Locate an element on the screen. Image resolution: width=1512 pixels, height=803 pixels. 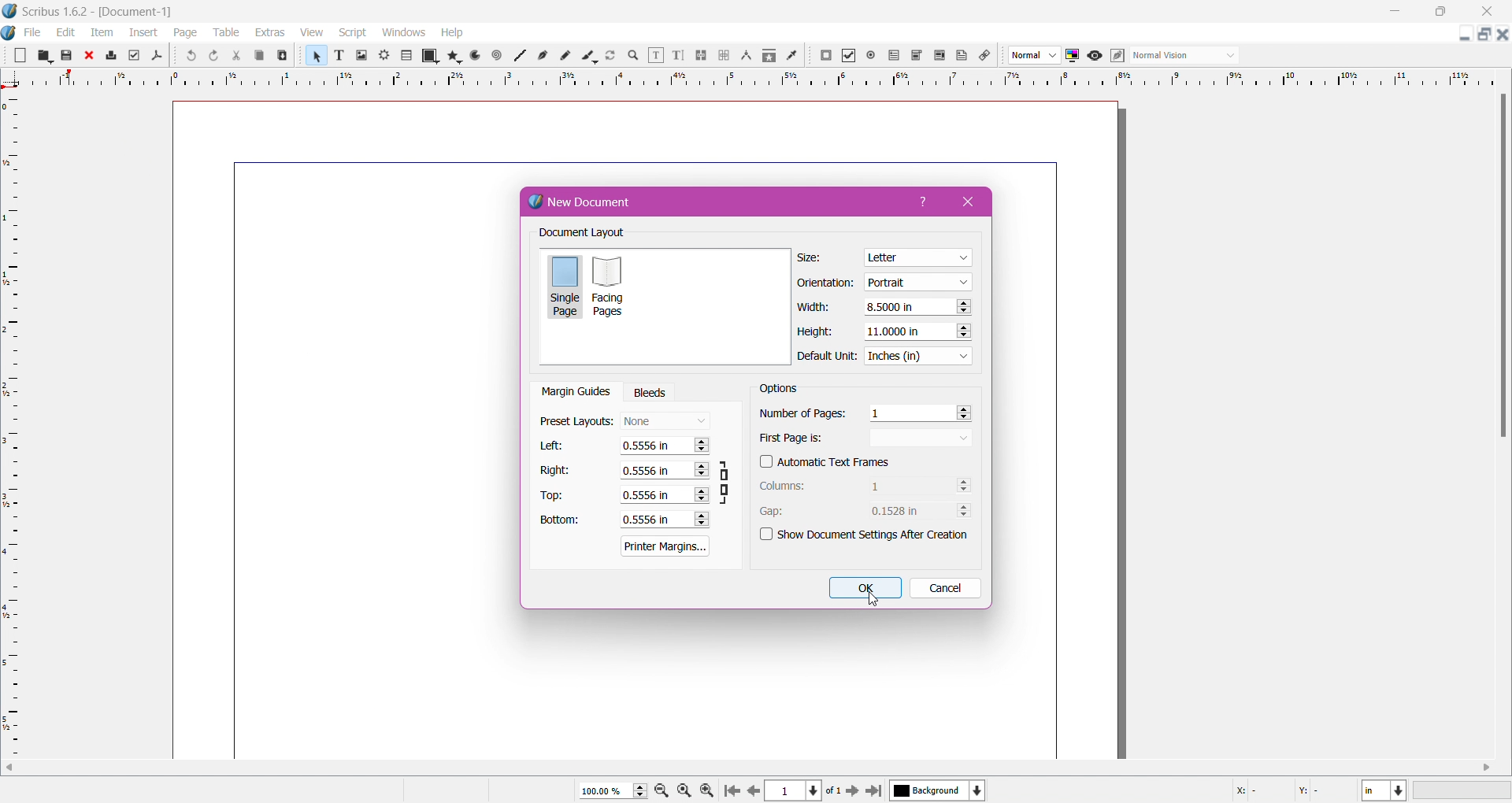
icon is located at coordinates (113, 56).